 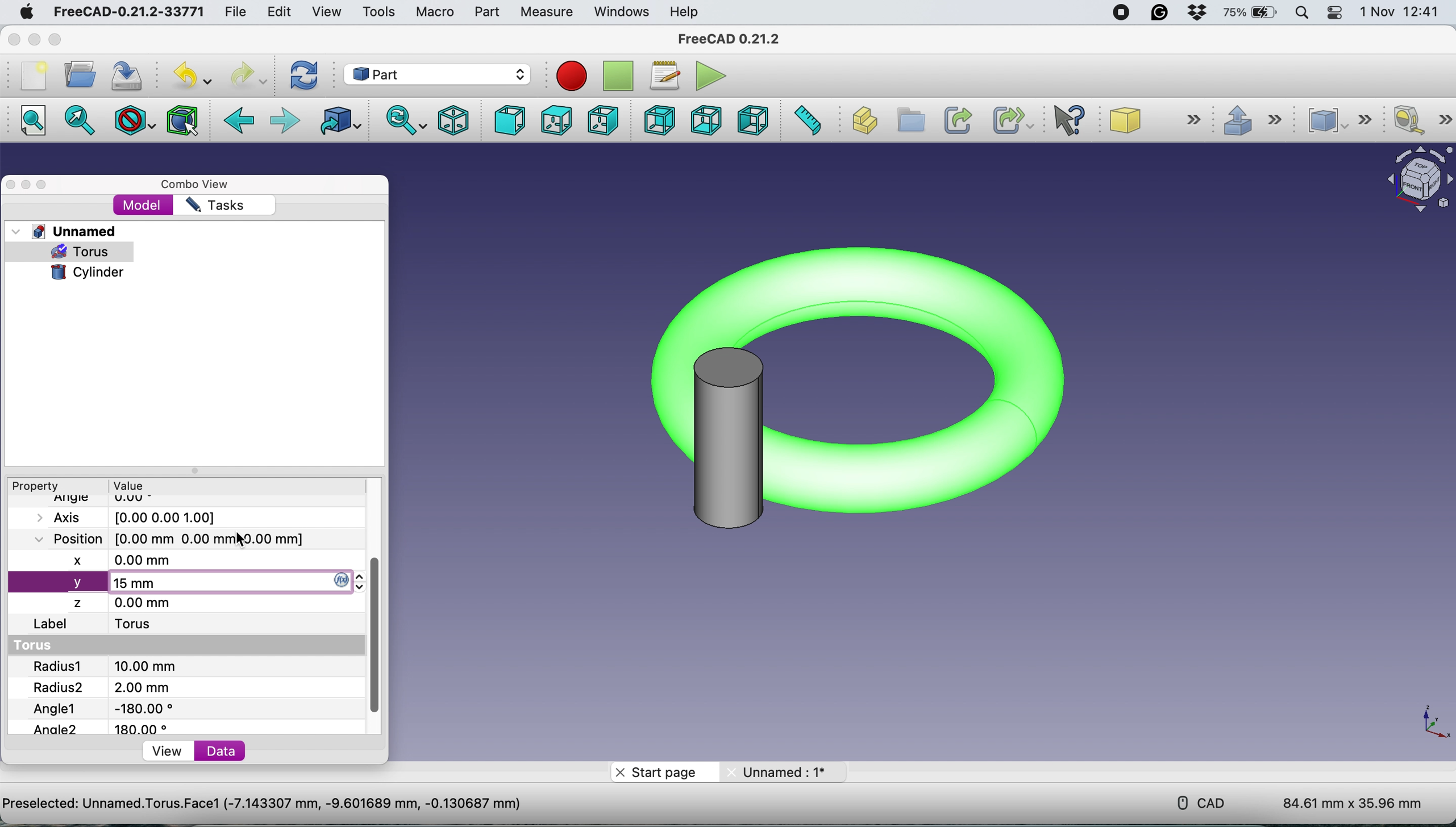 I want to click on recroding macros, so click(x=567, y=76).